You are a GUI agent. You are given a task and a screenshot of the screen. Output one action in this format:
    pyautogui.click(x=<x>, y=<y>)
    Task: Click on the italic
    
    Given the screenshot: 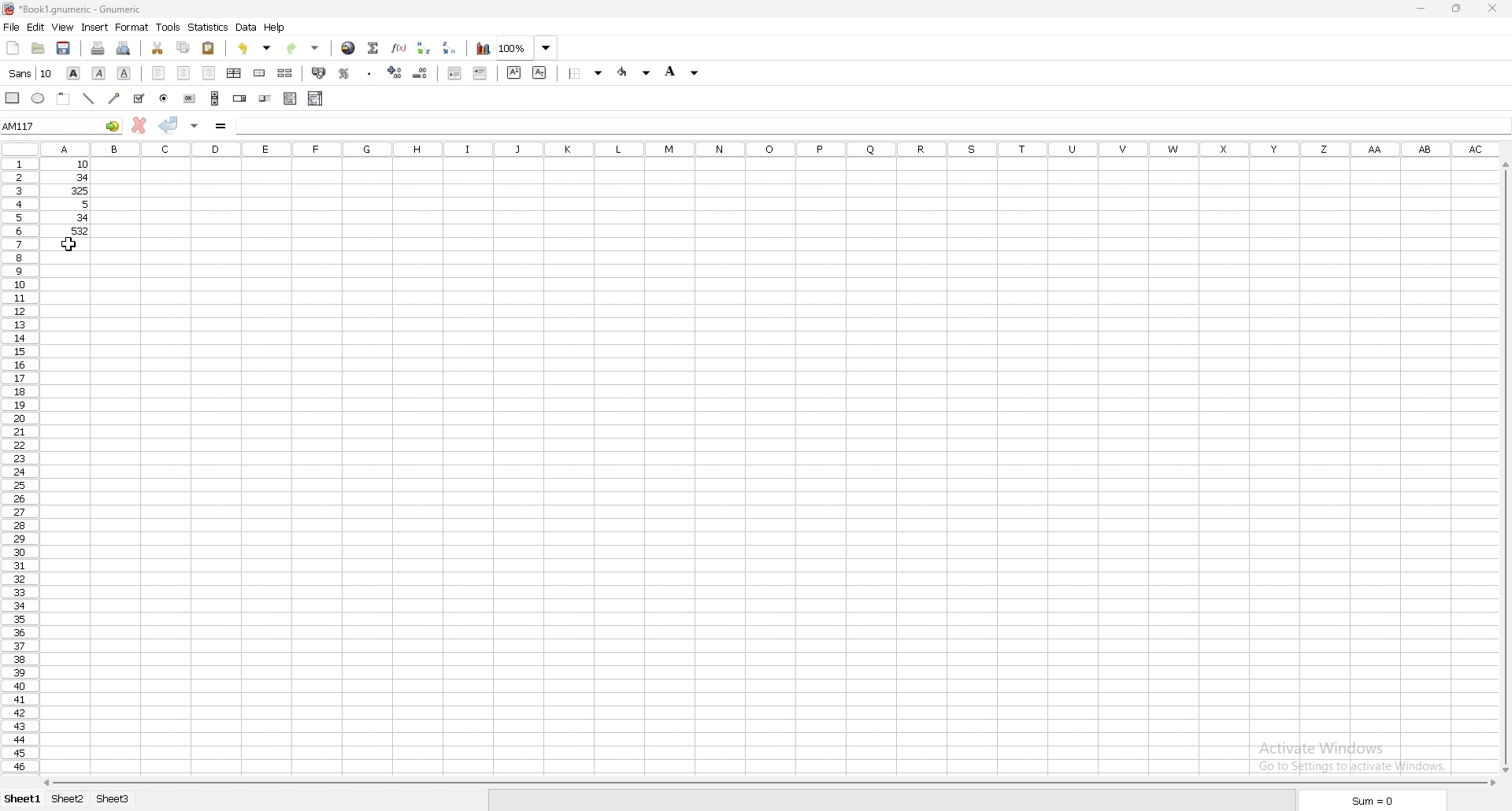 What is the action you would take?
    pyautogui.click(x=99, y=72)
    